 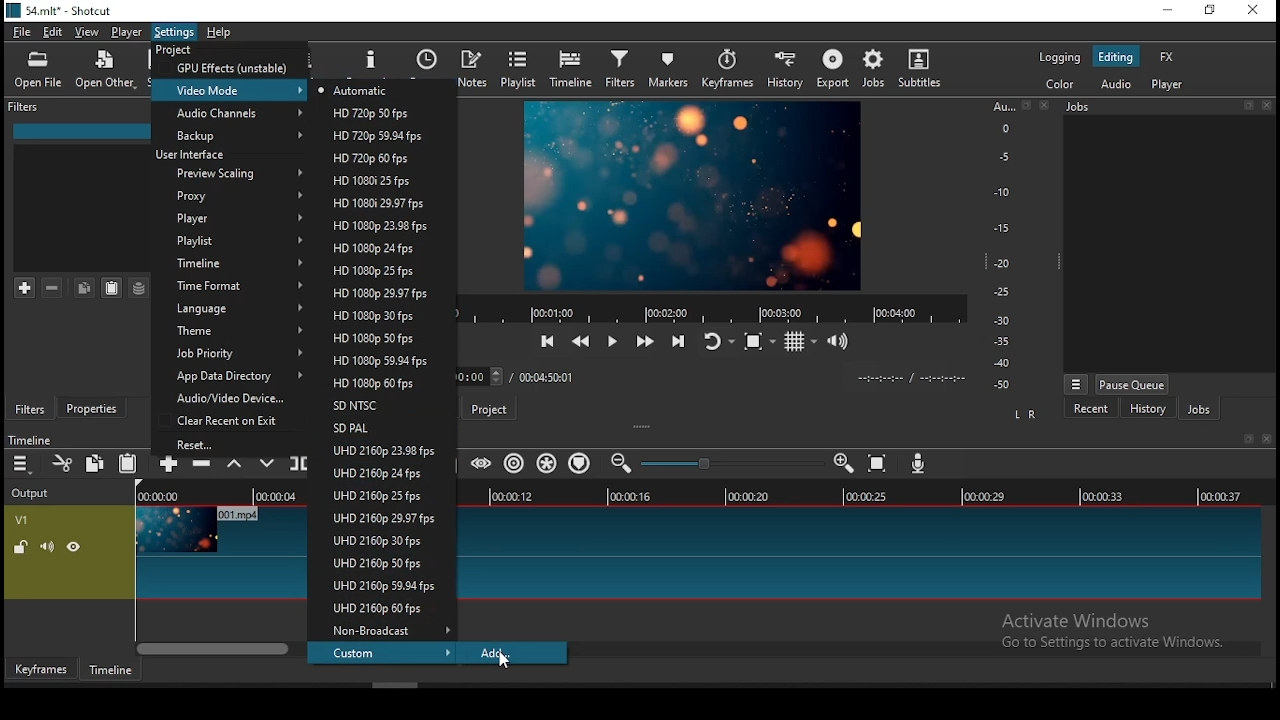 What do you see at coordinates (95, 462) in the screenshot?
I see `copy` at bounding box center [95, 462].